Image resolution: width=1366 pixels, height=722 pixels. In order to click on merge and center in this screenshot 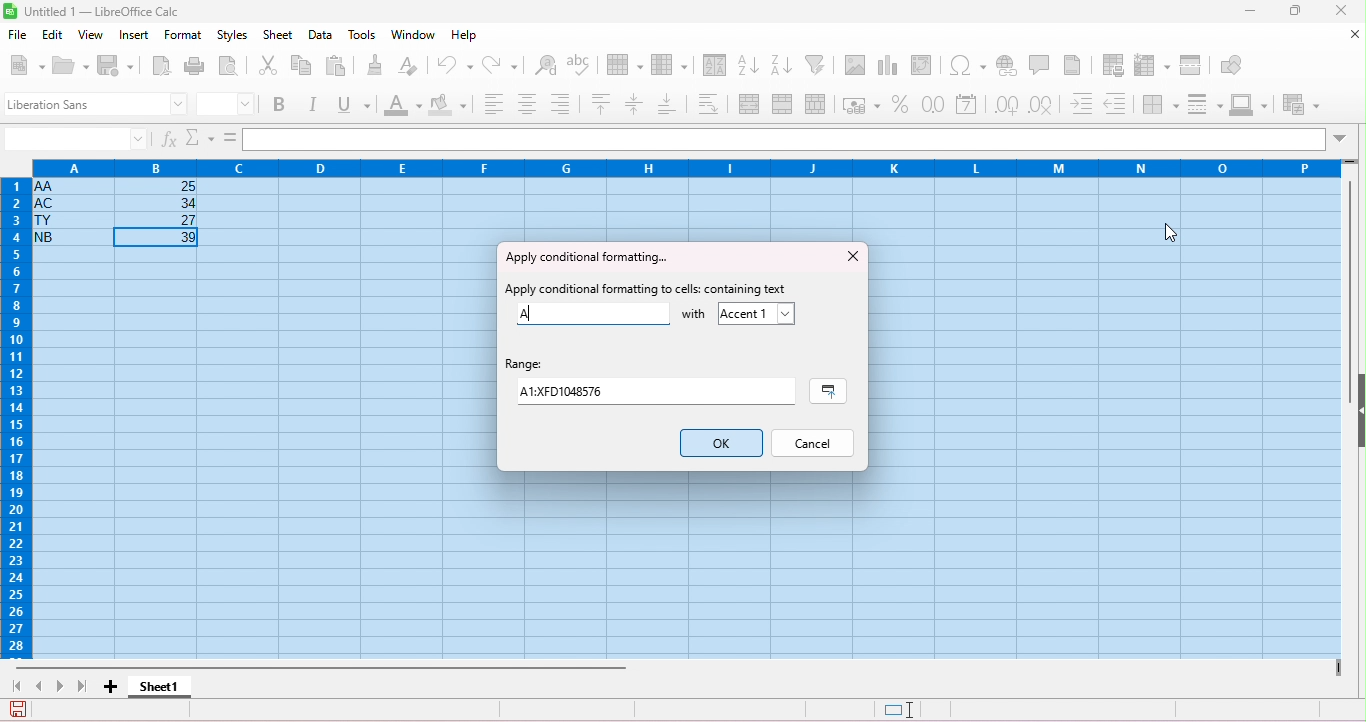, I will do `click(750, 105)`.